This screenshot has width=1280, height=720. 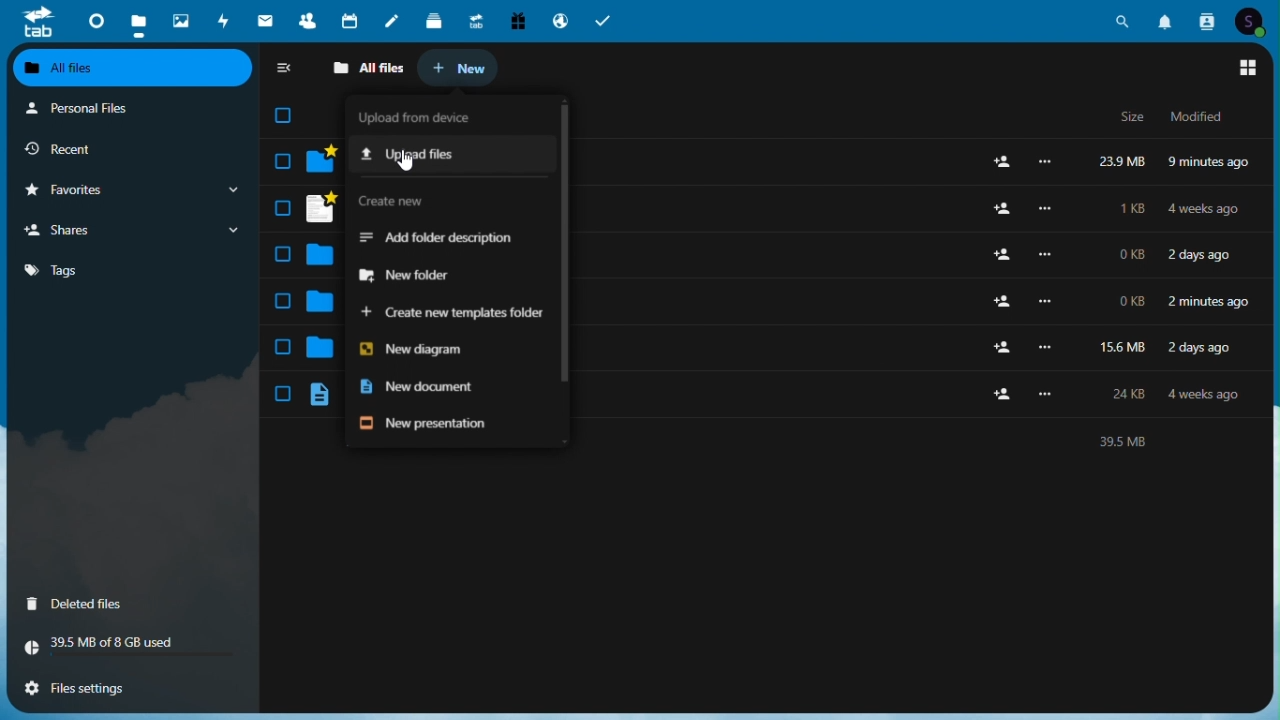 I want to click on select, so click(x=282, y=255).